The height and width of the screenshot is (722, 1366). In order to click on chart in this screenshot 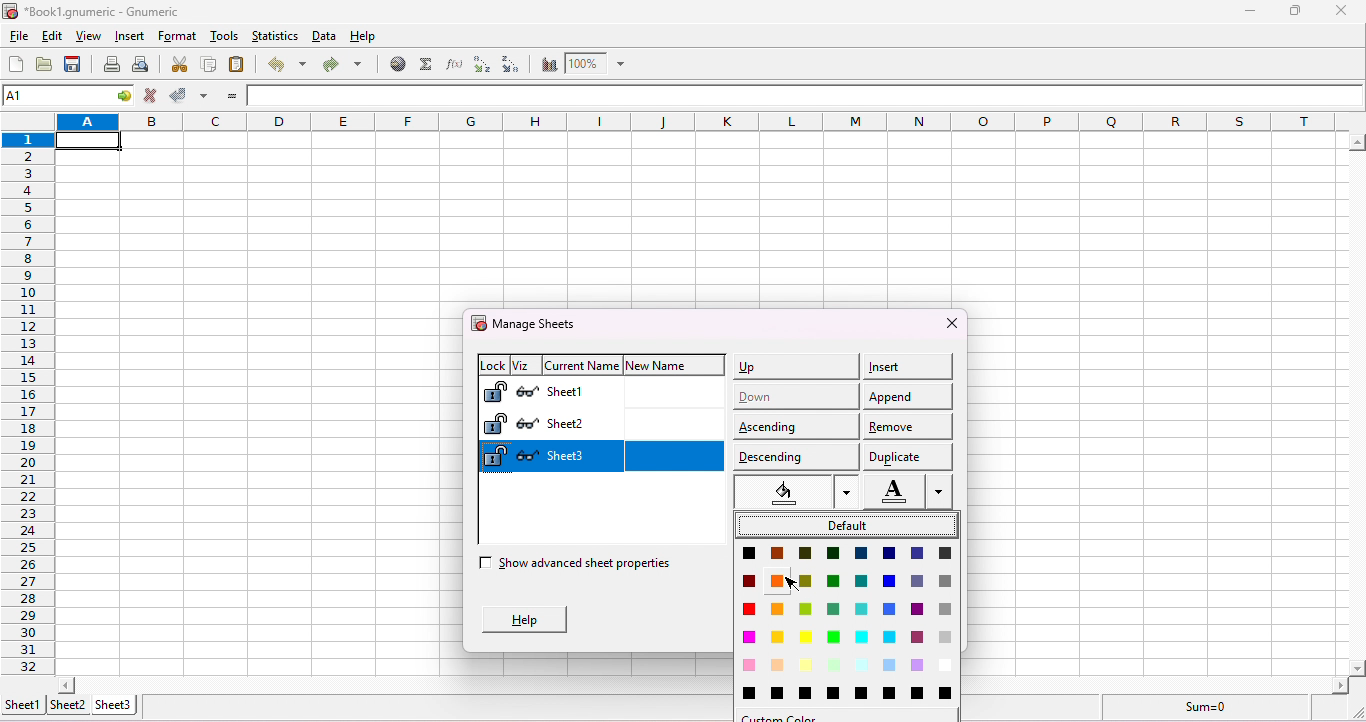, I will do `click(547, 63)`.